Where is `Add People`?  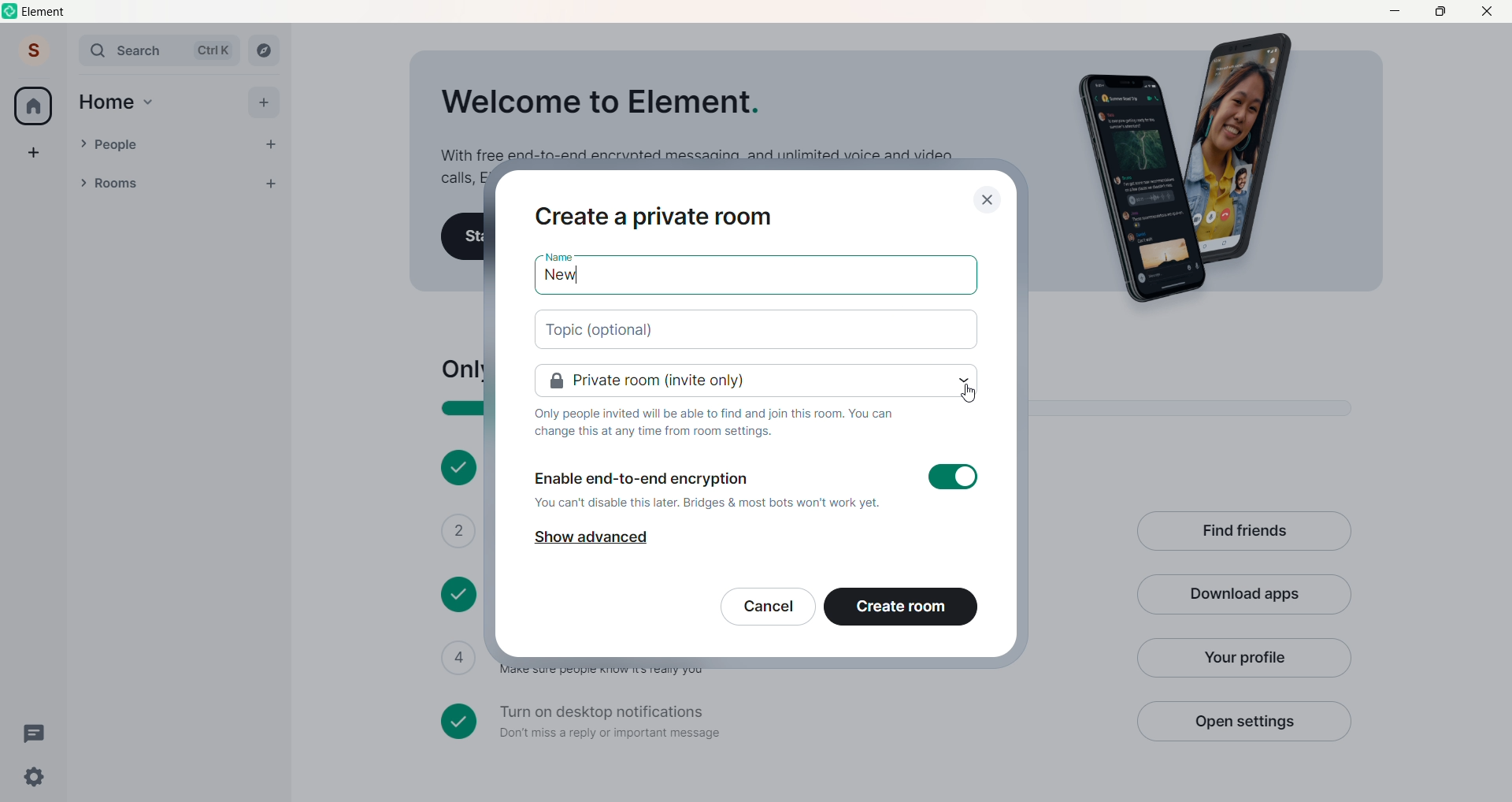 Add People is located at coordinates (271, 145).